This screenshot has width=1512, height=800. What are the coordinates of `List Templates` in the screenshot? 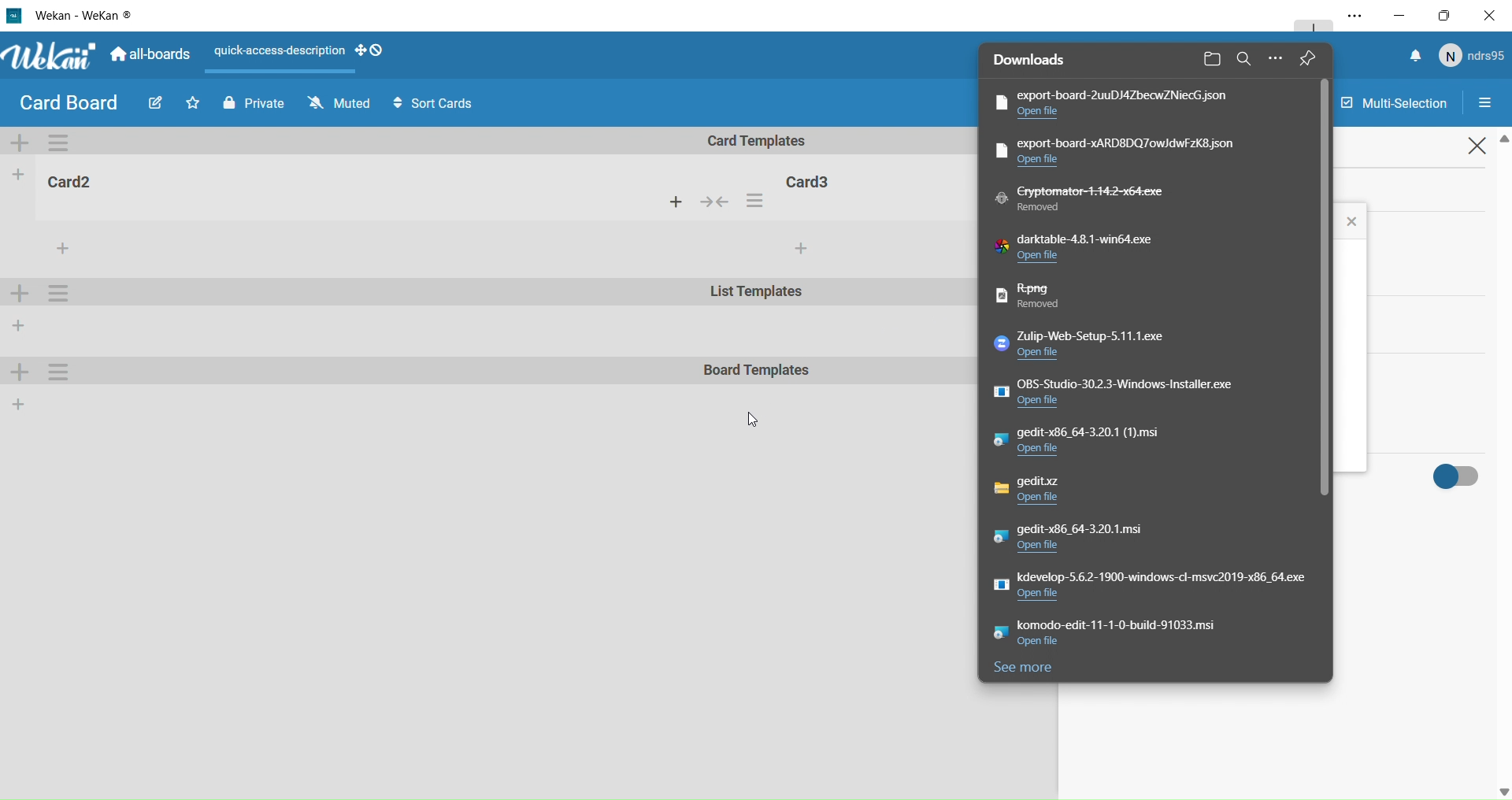 It's located at (758, 294).